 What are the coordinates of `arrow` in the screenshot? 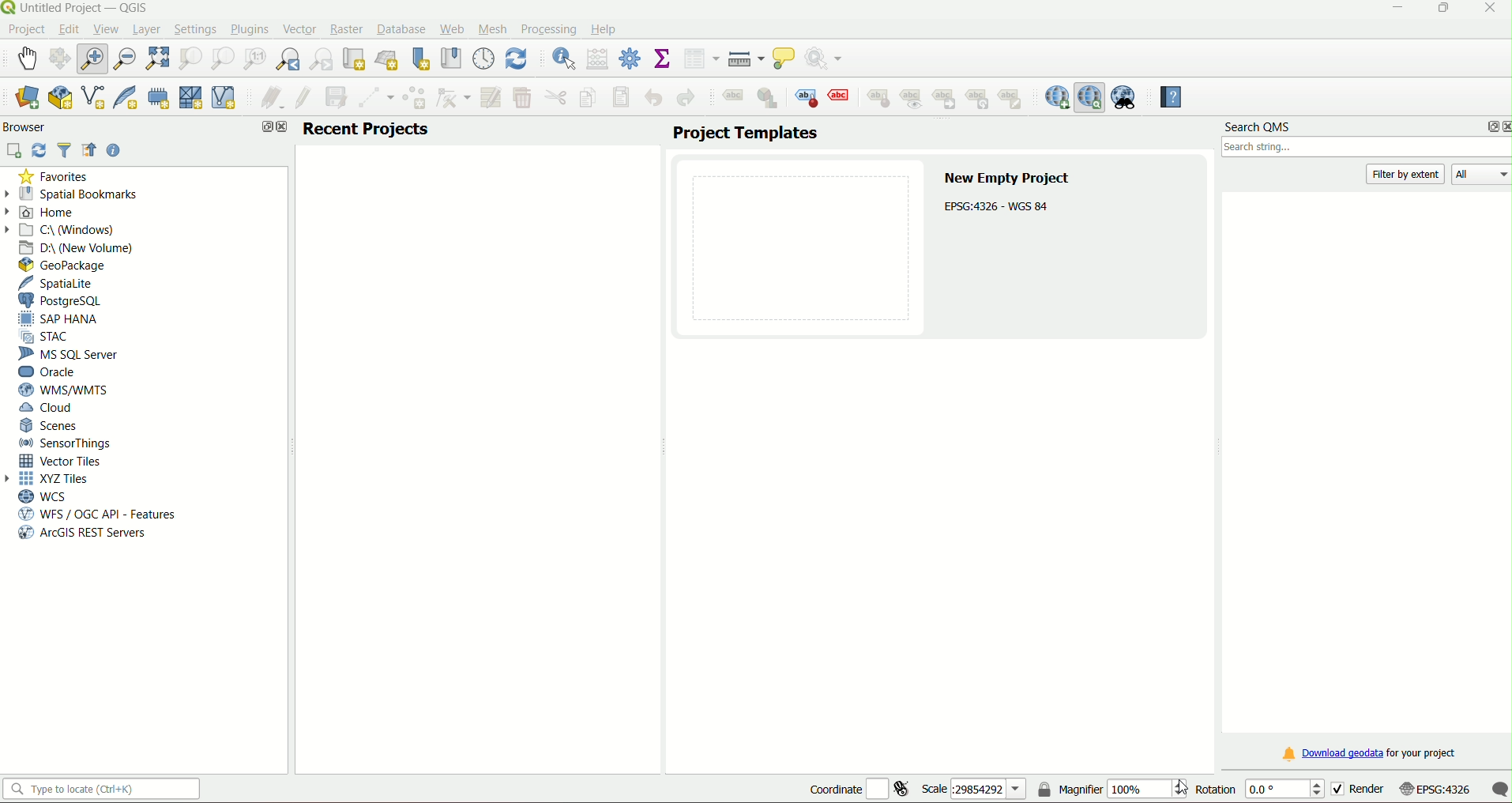 It's located at (12, 478).